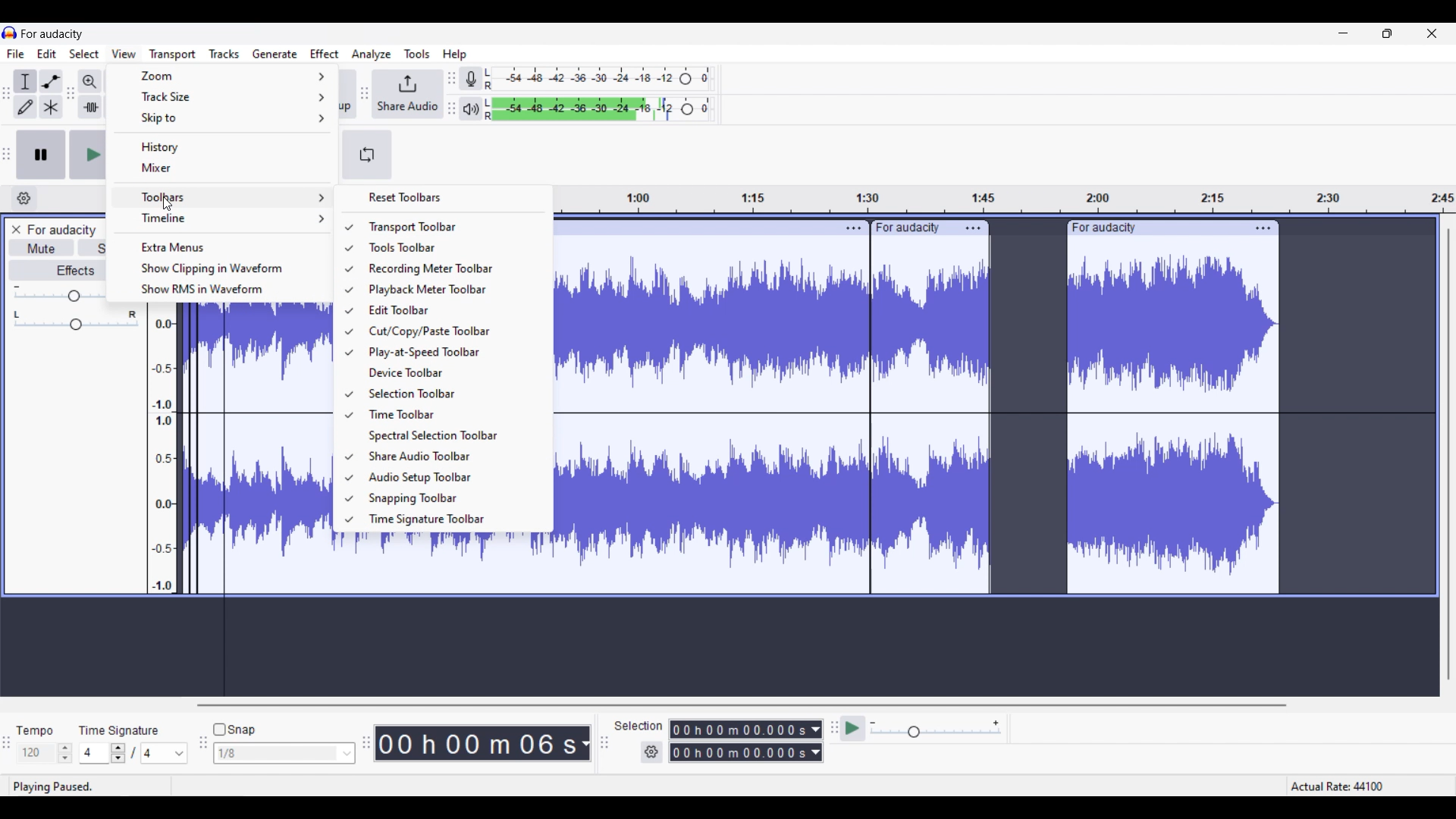 The height and width of the screenshot is (819, 1456). What do you see at coordinates (921, 424) in the screenshot?
I see `track waveform` at bounding box center [921, 424].